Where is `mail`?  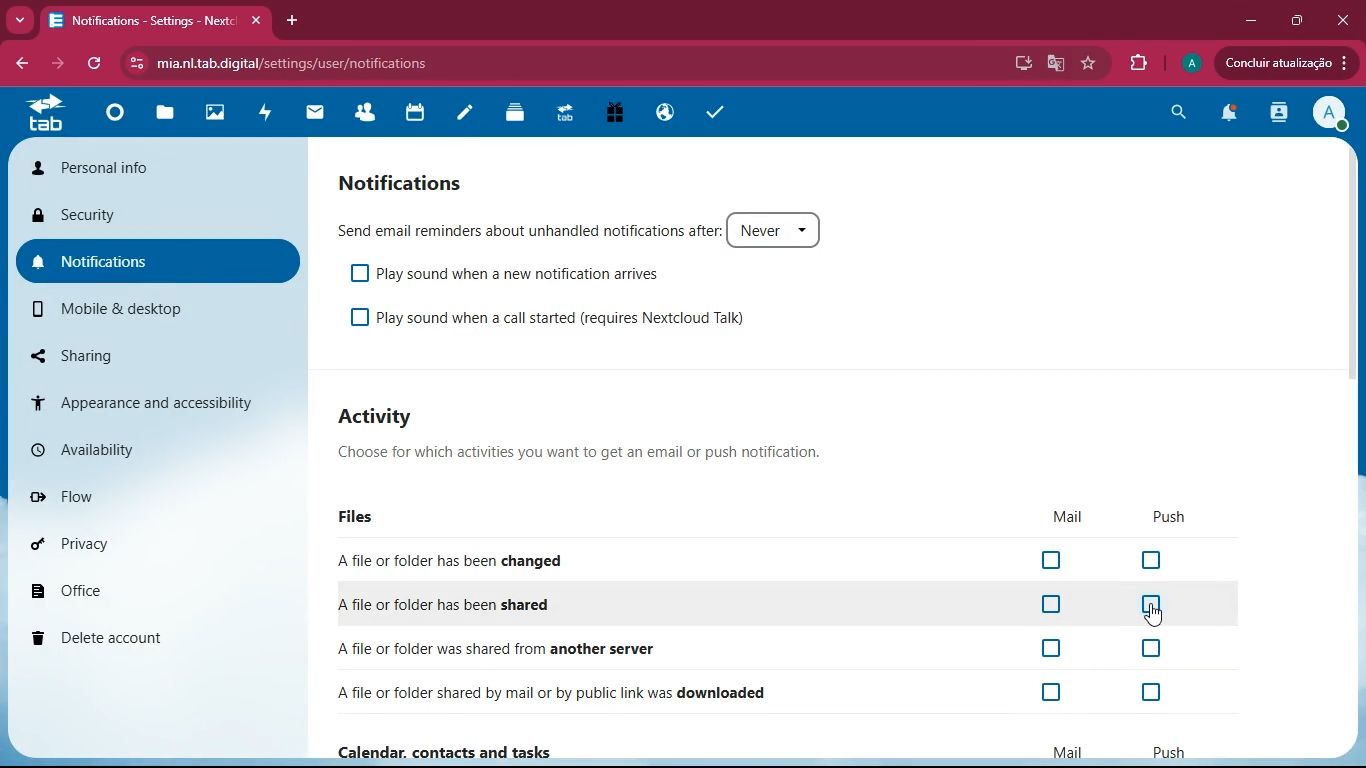 mail is located at coordinates (310, 114).